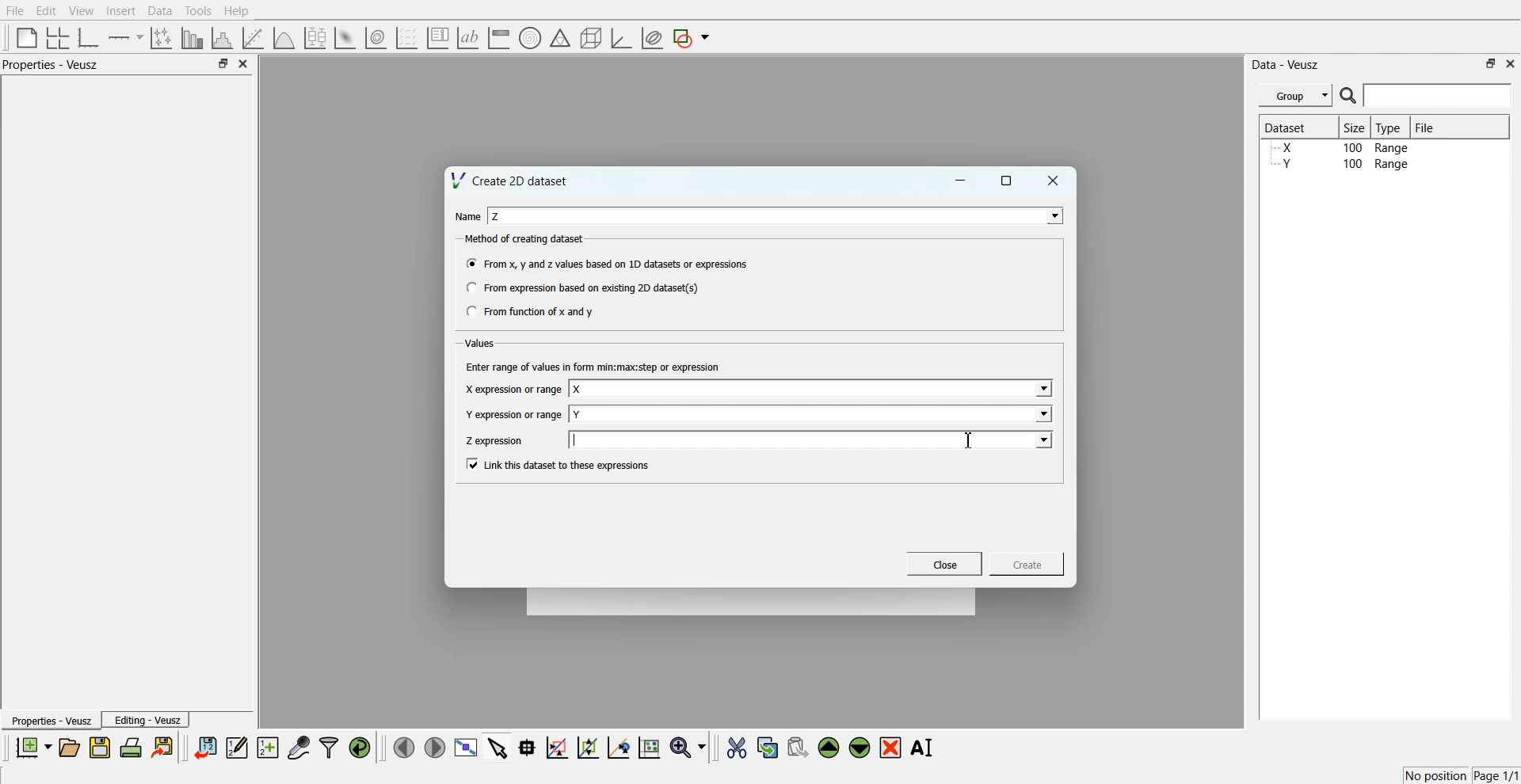 This screenshot has width=1521, height=784. What do you see at coordinates (164, 747) in the screenshot?
I see `Export to graphic format` at bounding box center [164, 747].